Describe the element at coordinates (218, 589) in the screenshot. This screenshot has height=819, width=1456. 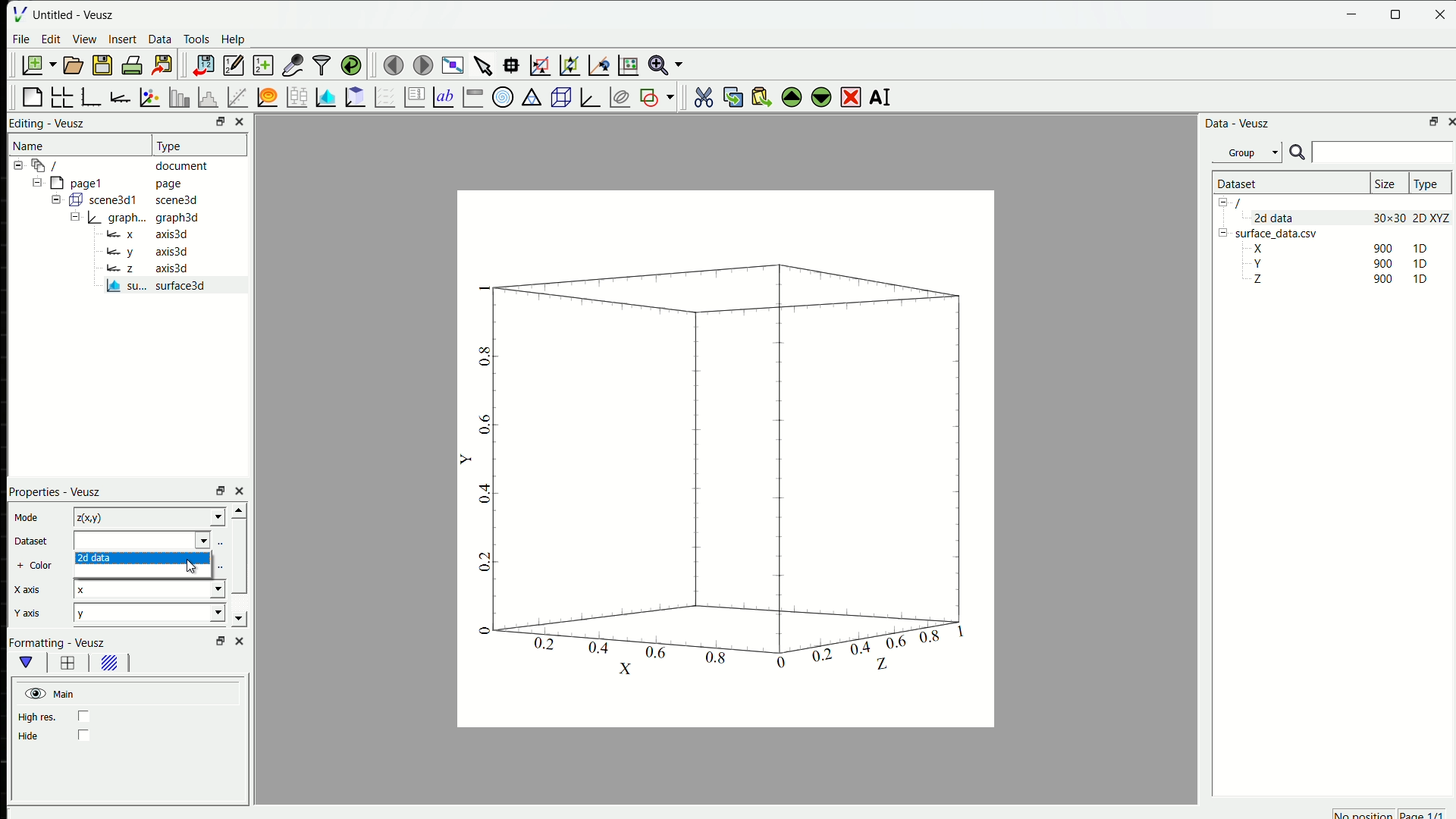
I see `Drop-down ` at that location.